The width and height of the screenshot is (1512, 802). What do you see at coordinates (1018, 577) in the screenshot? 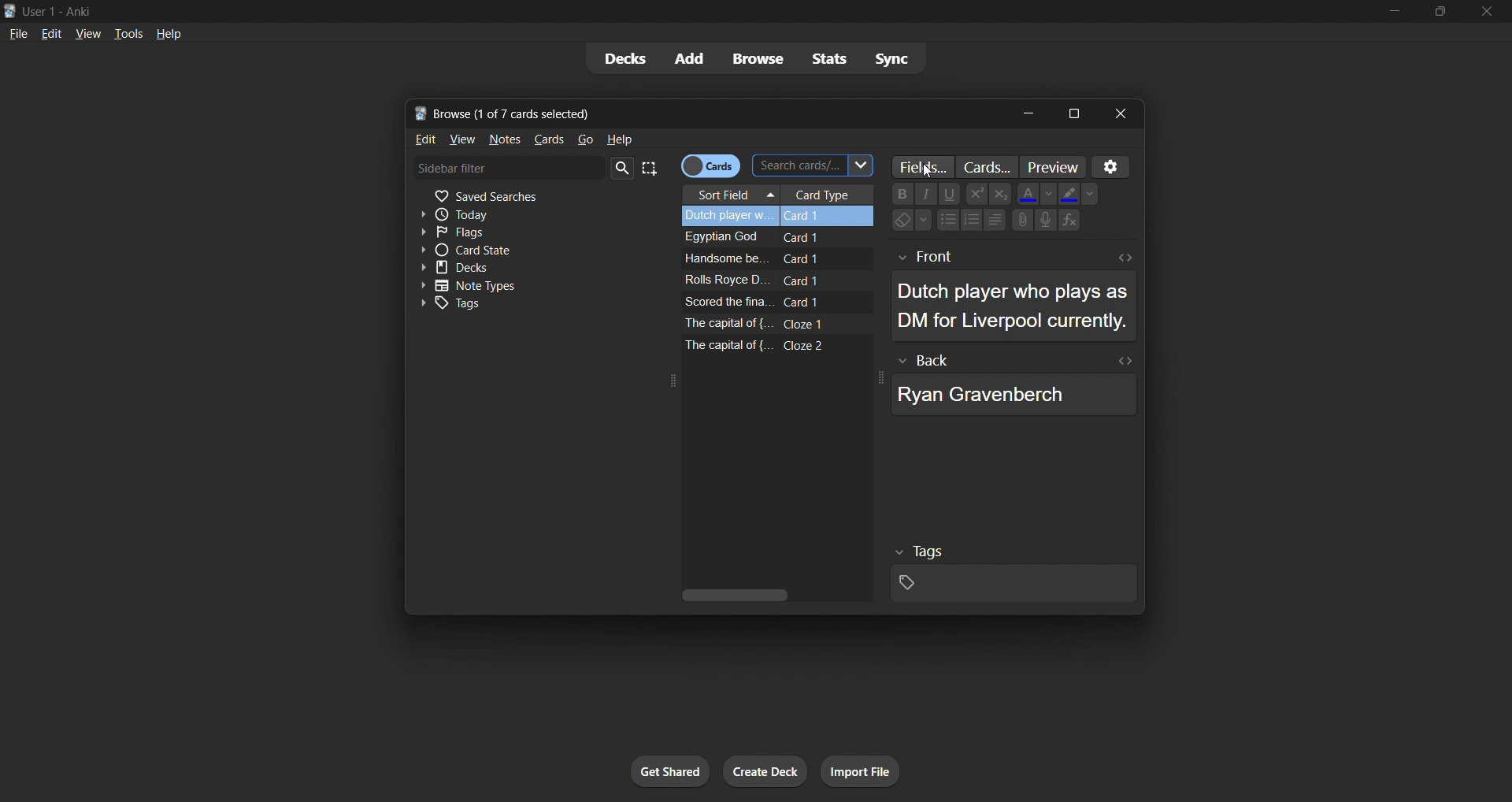
I see `selected card tags` at bounding box center [1018, 577].